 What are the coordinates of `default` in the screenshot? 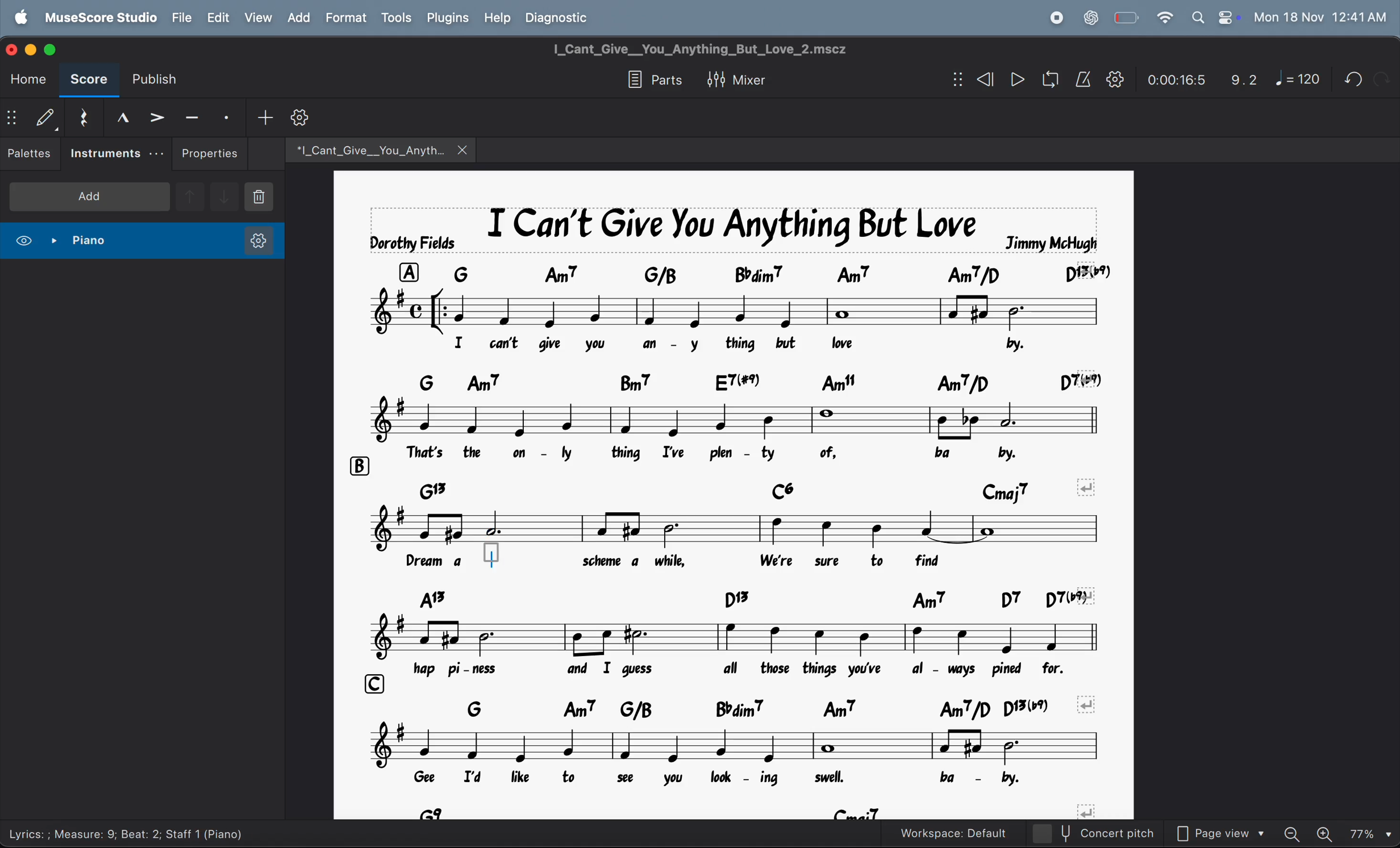 It's located at (48, 117).